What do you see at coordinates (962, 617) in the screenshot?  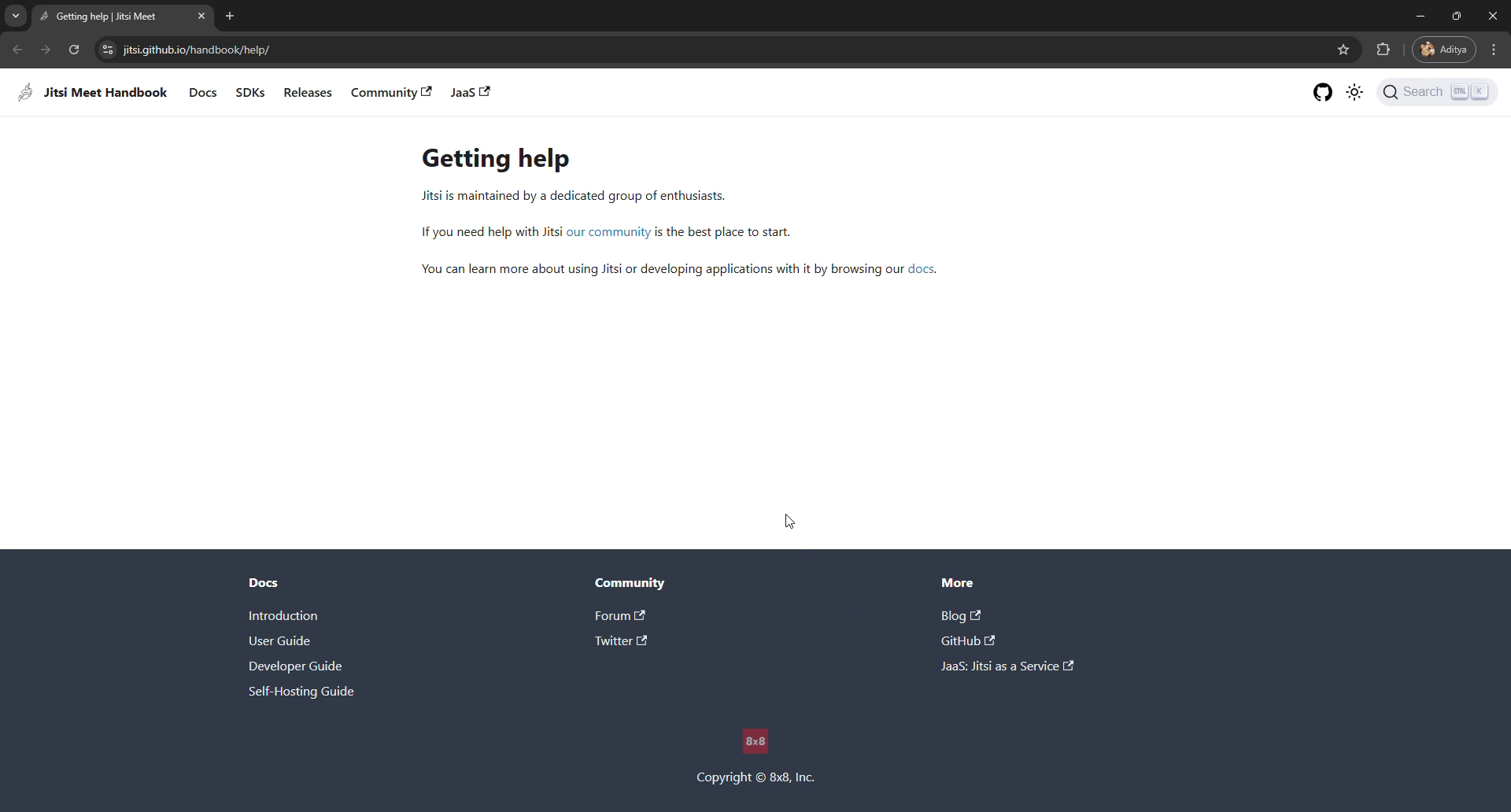 I see `blog` at bounding box center [962, 617].